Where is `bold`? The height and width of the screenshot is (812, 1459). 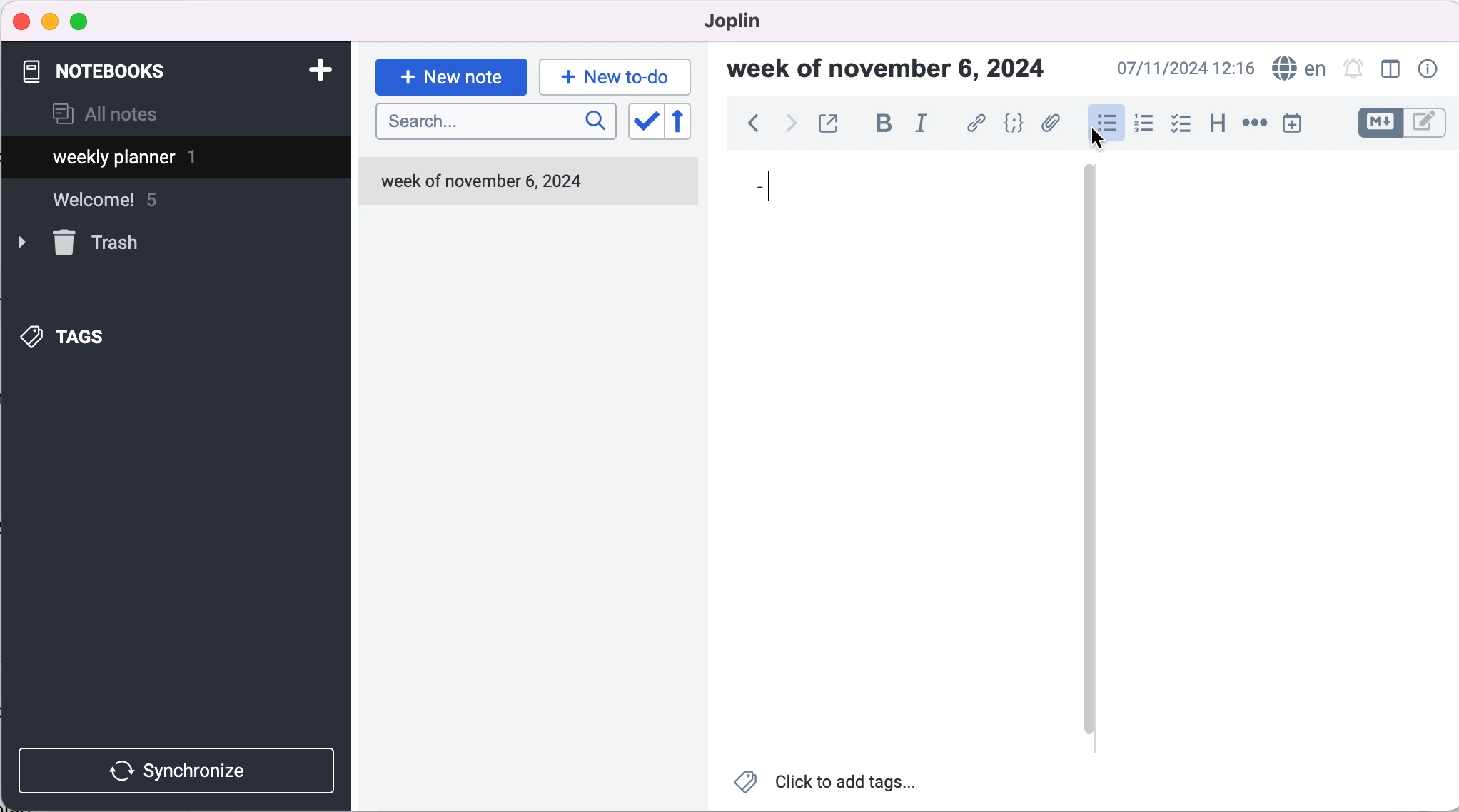
bold is located at coordinates (883, 124).